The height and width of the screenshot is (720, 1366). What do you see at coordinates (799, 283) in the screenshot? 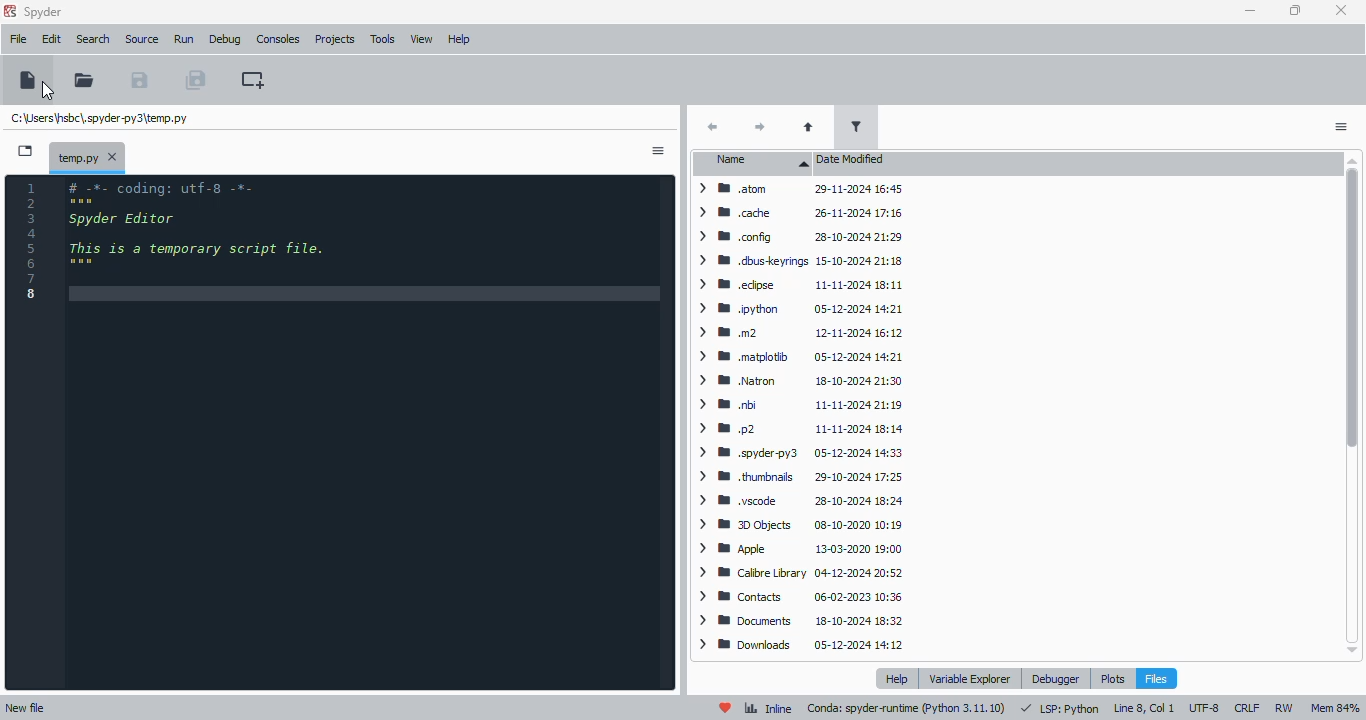
I see `> MW edipse 11-11-2024 18:11` at bounding box center [799, 283].